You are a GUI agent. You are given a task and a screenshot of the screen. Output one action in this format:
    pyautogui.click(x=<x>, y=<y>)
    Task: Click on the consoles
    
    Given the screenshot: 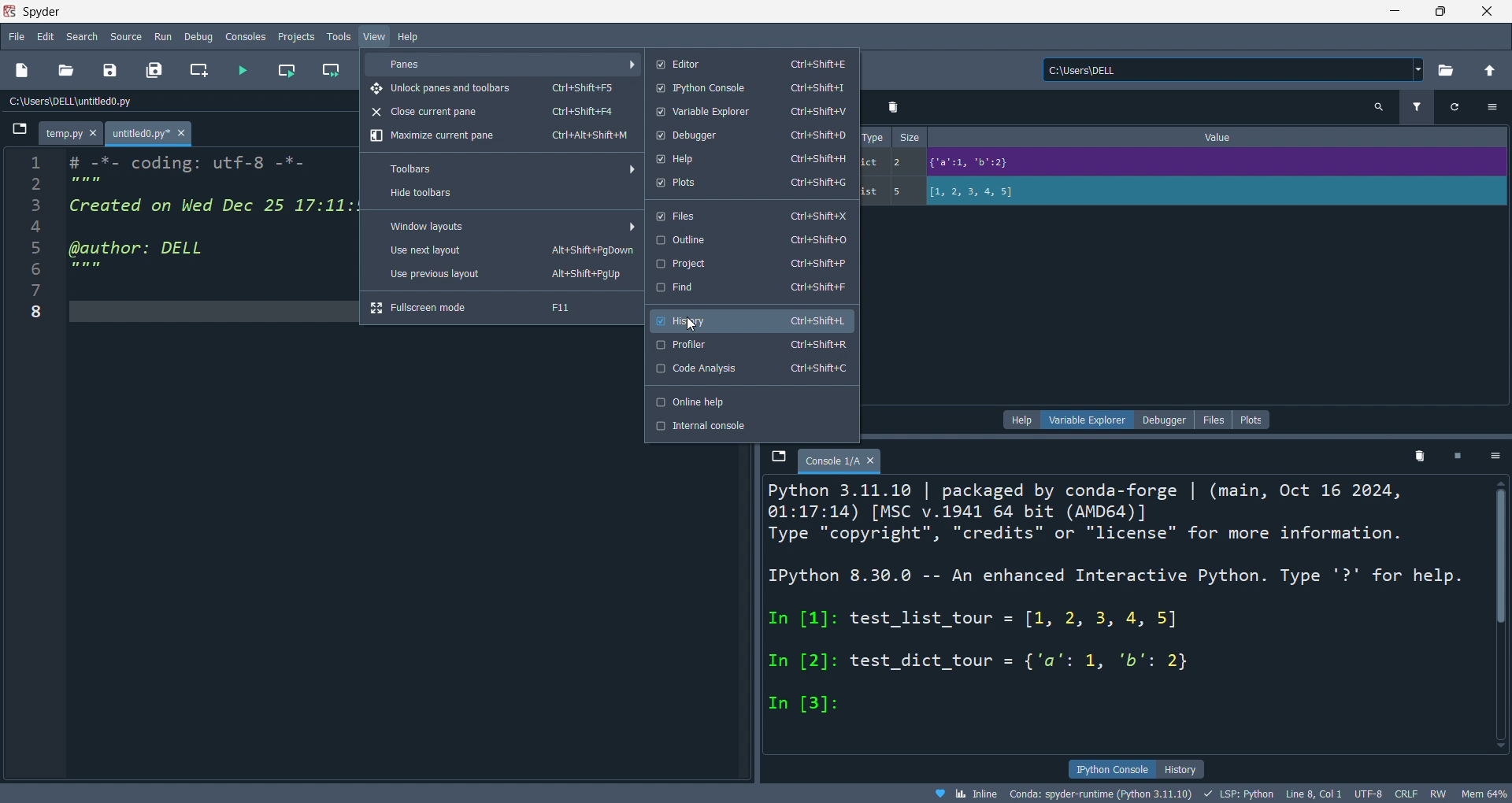 What is the action you would take?
    pyautogui.click(x=248, y=35)
    